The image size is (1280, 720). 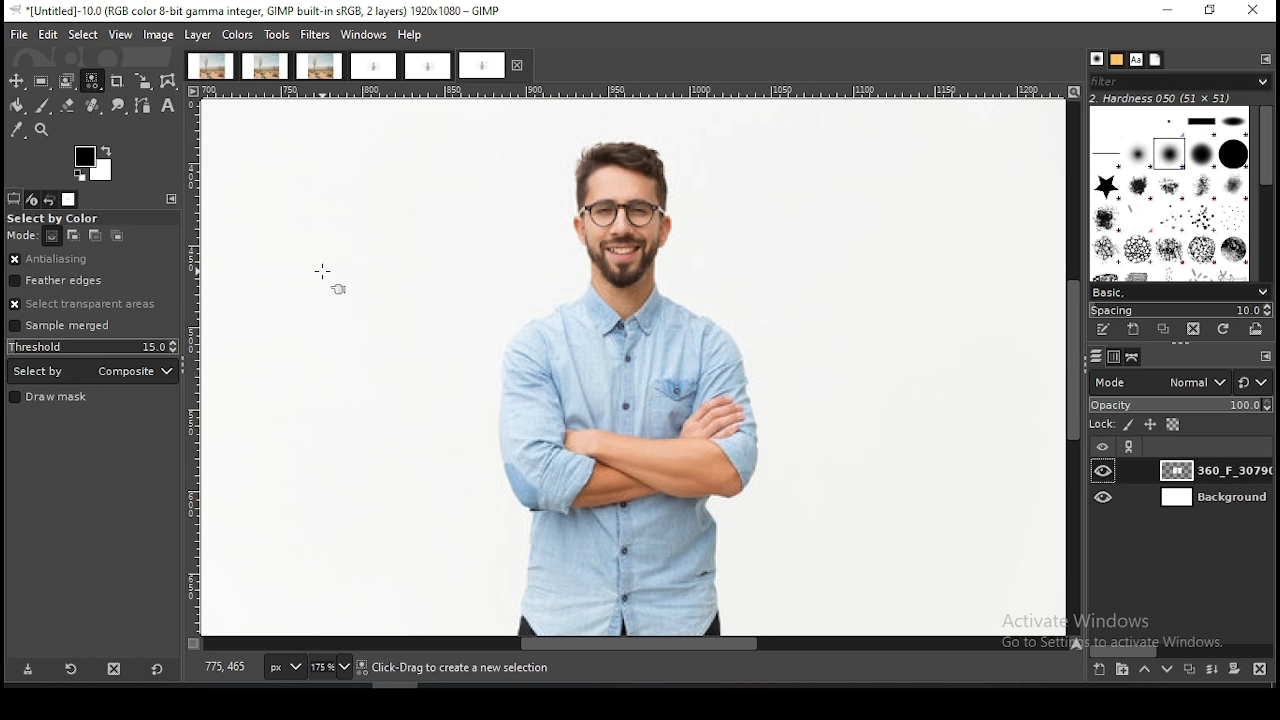 I want to click on restore tool preset, so click(x=73, y=668).